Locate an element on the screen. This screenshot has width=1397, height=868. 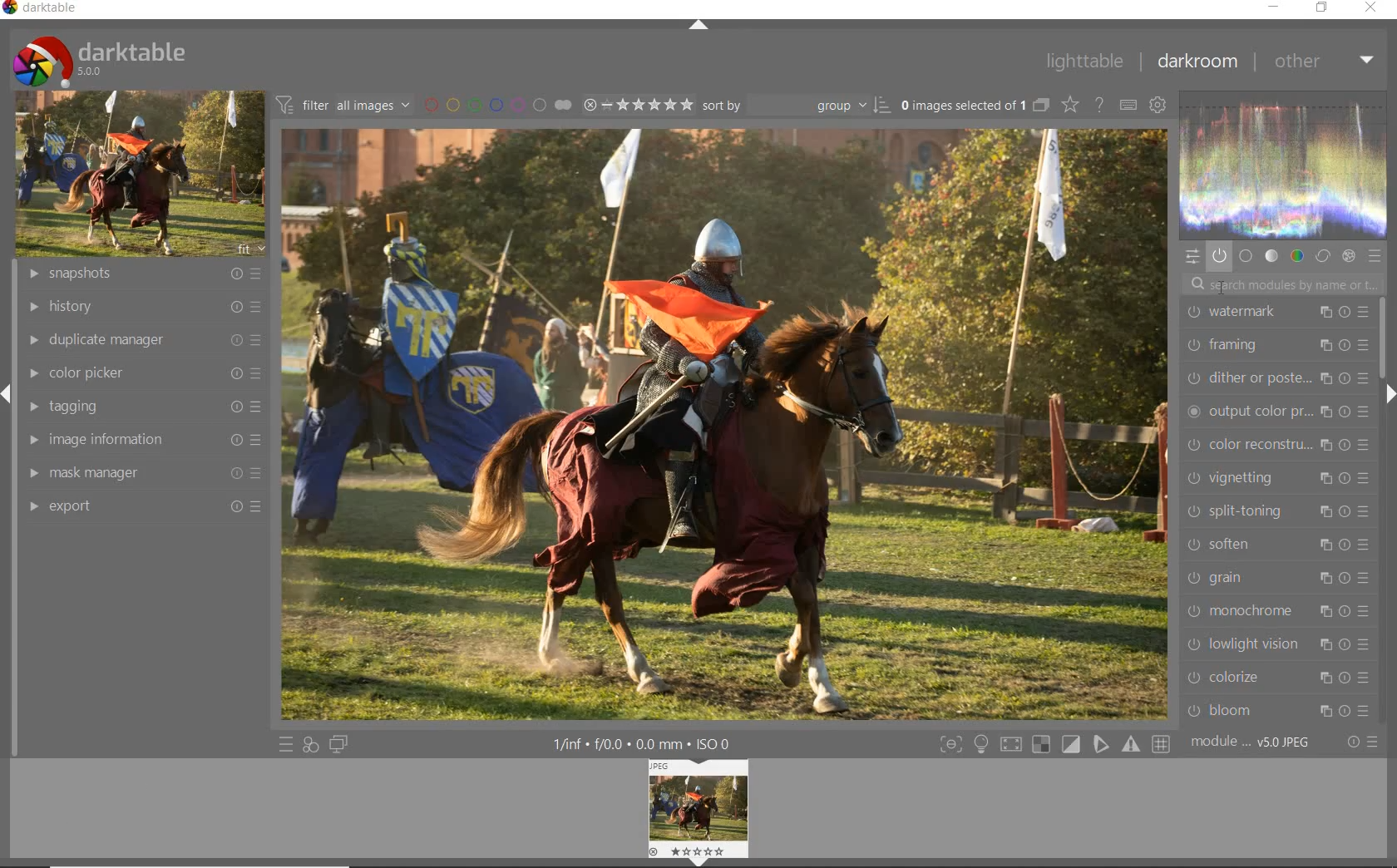
soften is located at coordinates (1279, 545).